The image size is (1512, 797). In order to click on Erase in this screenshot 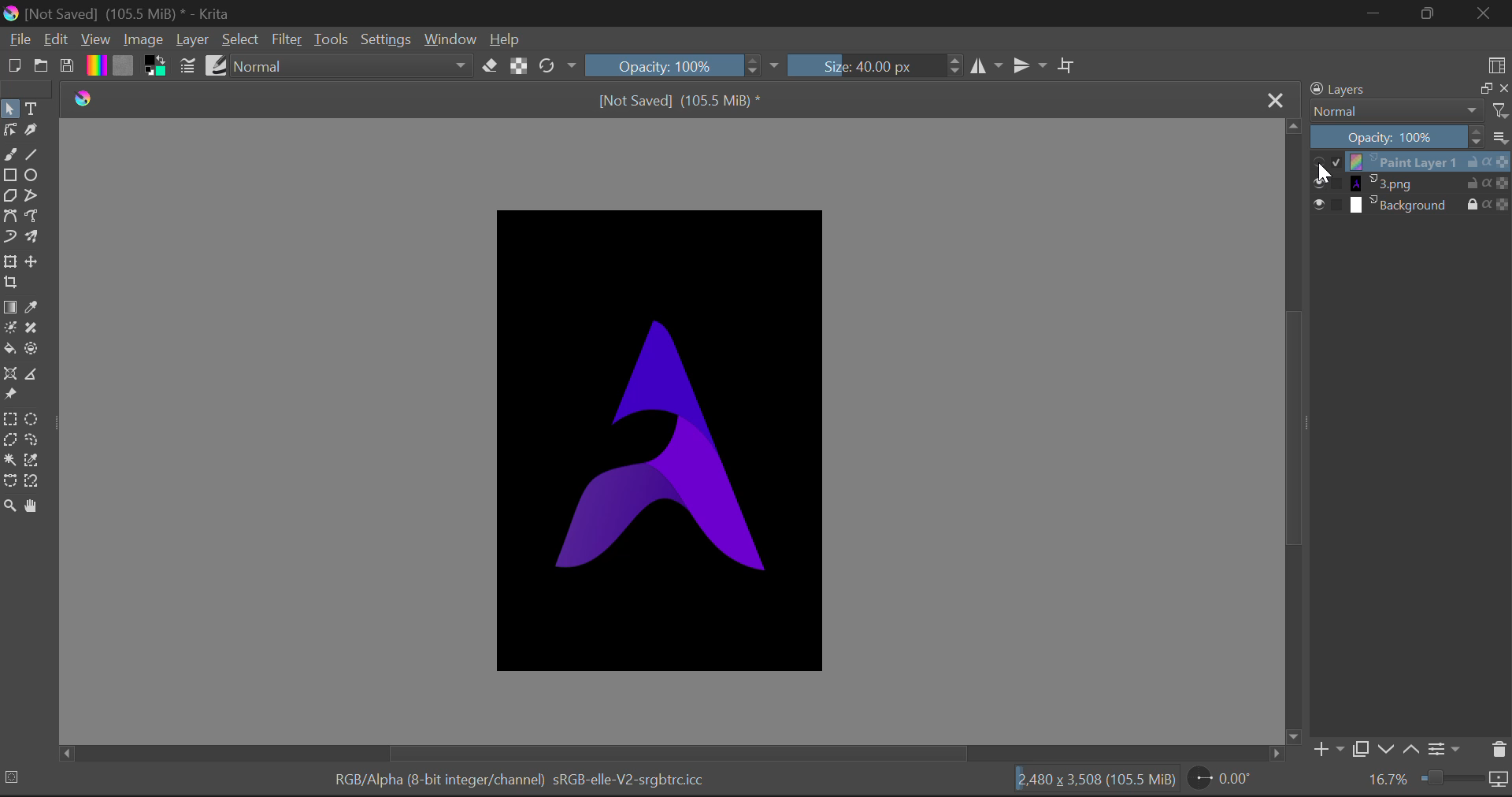, I will do `click(492, 69)`.